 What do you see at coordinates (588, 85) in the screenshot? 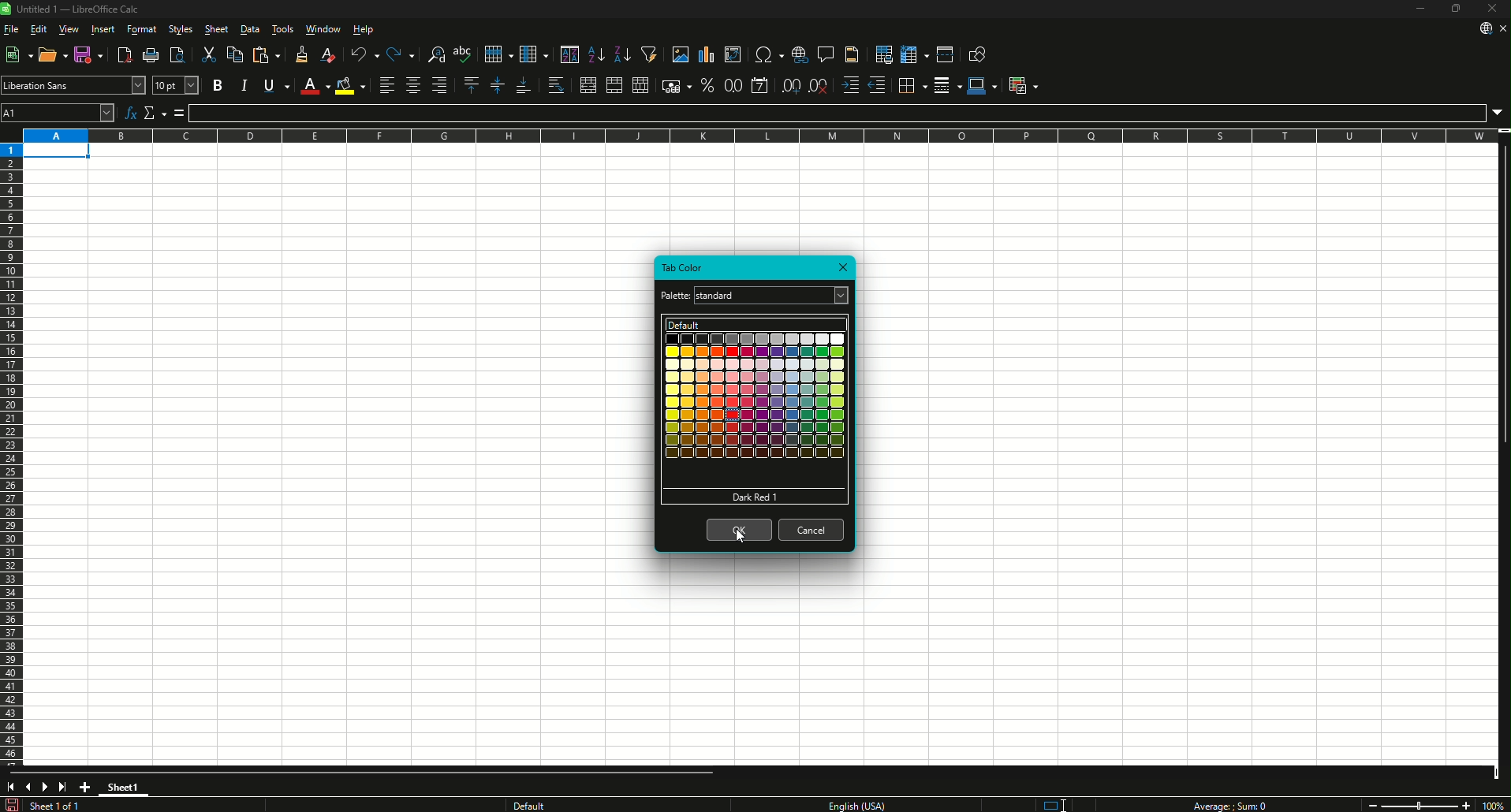
I see `Merge and Center or Unmerge` at bounding box center [588, 85].